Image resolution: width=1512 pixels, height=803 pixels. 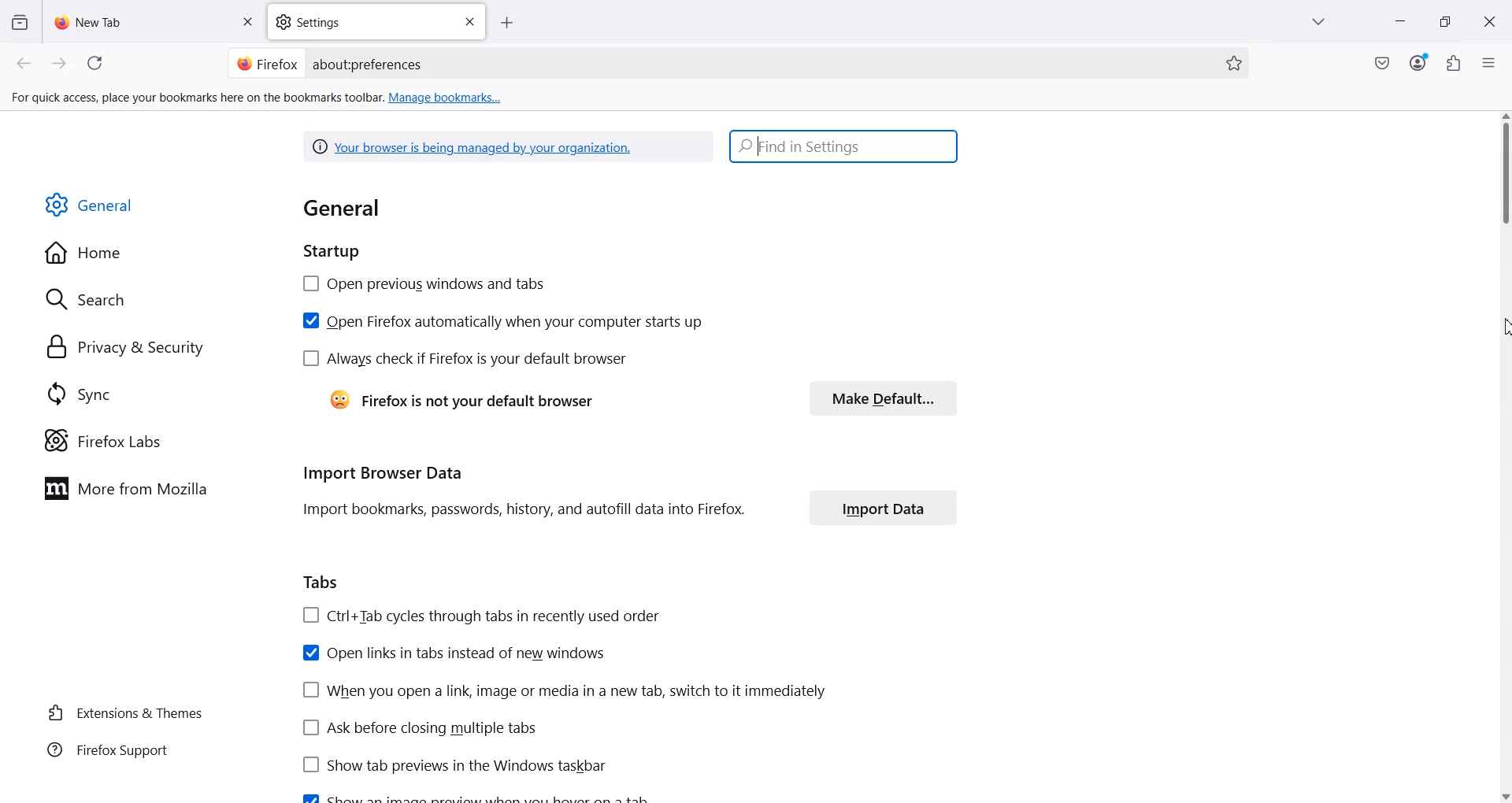 What do you see at coordinates (347, 209) in the screenshot?
I see `General` at bounding box center [347, 209].